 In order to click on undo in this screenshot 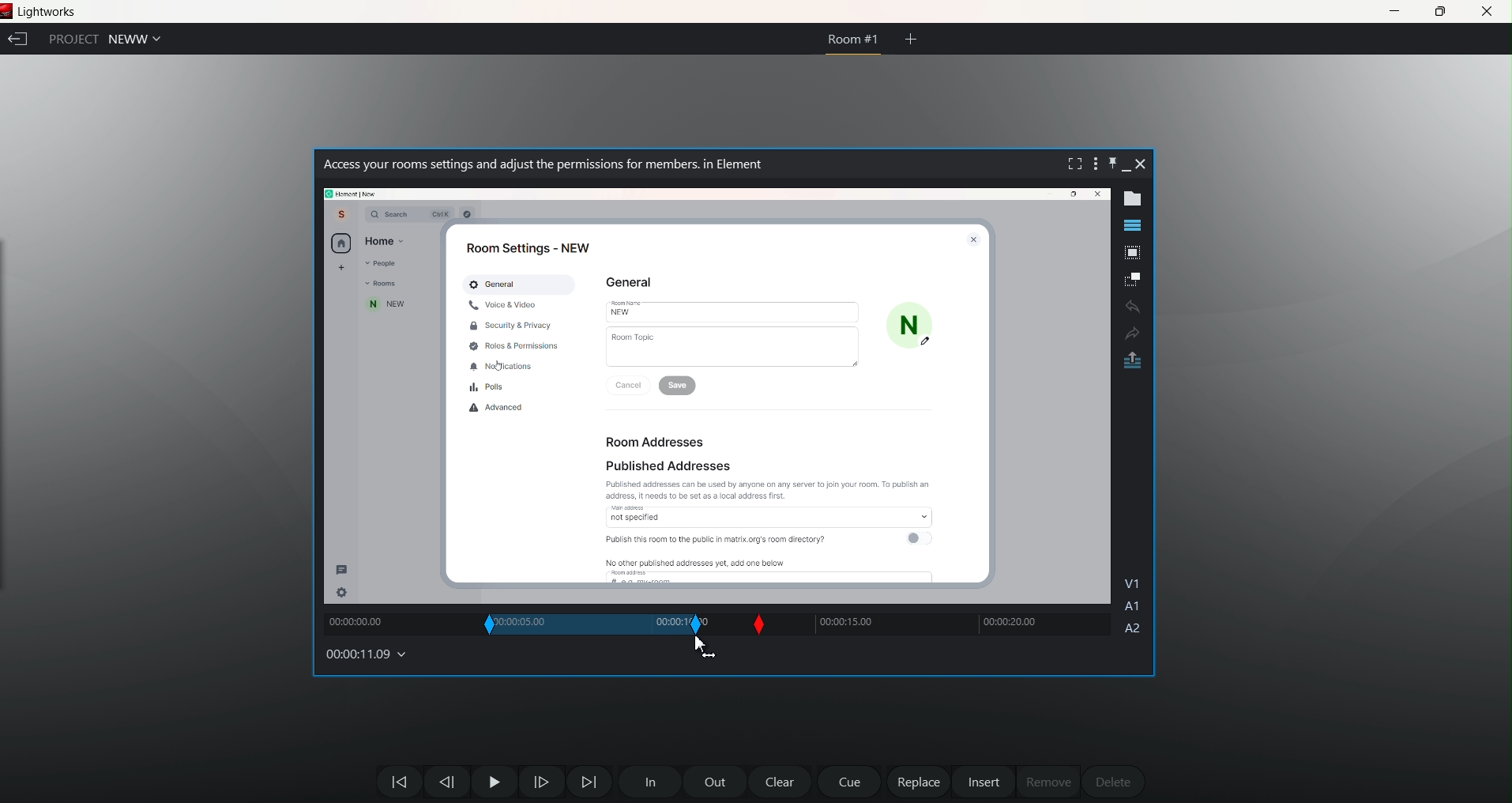, I will do `click(1135, 307)`.